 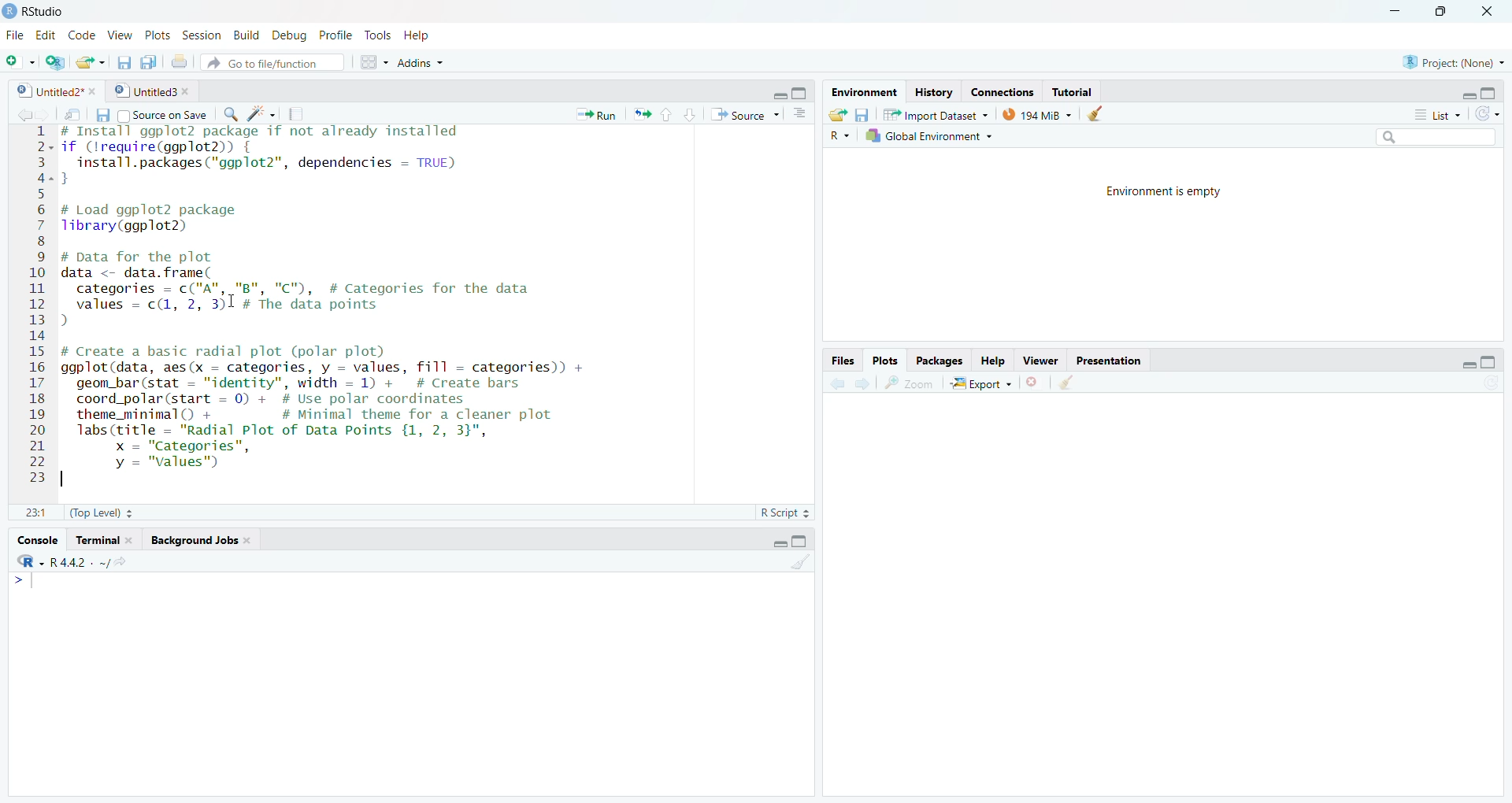 What do you see at coordinates (37, 309) in the screenshot?
I see `2
3
4
5
6
7
8
9
10
ay
12
13
14
15
16
17
18
19
20
21
22
23` at bounding box center [37, 309].